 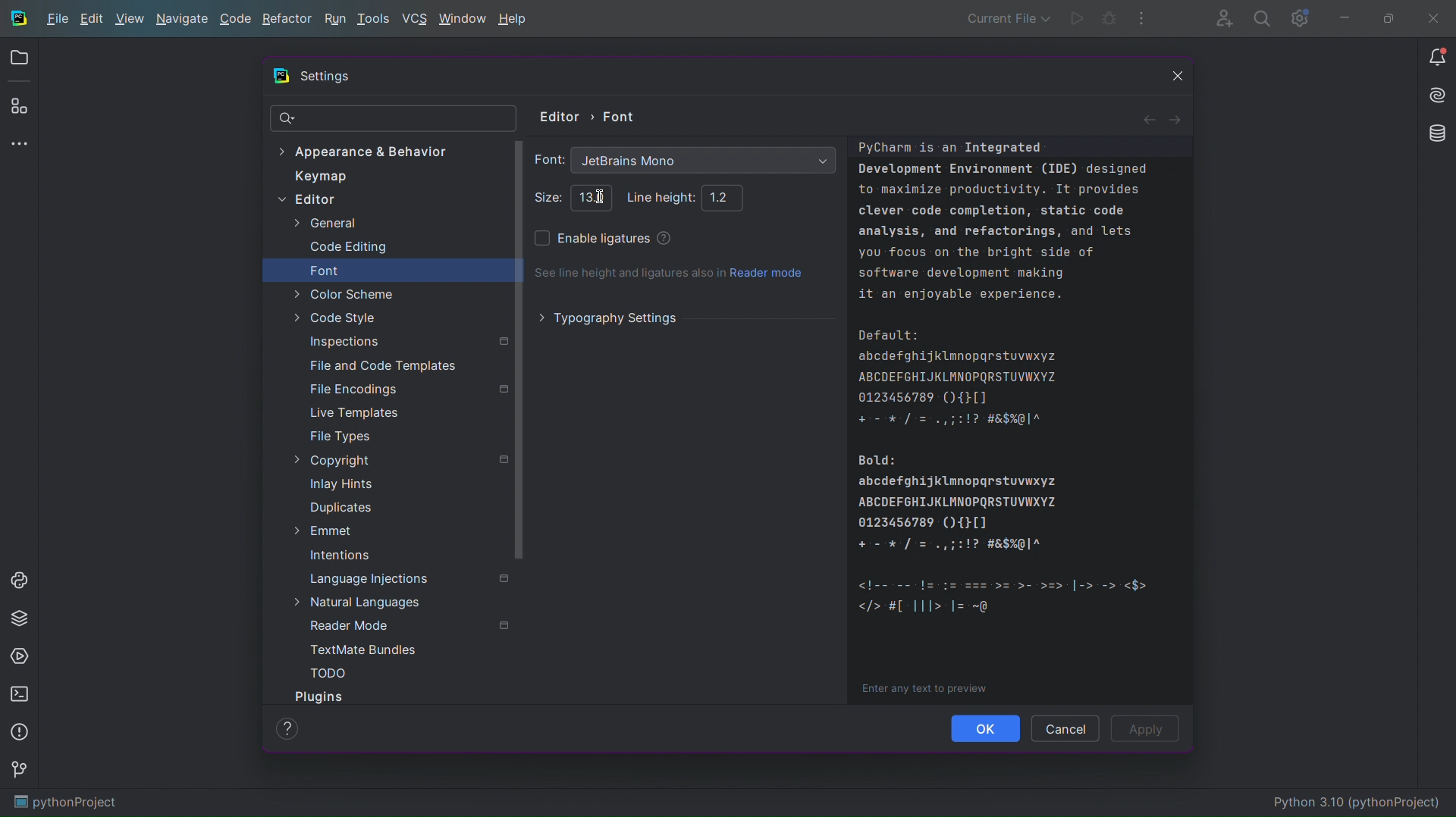 What do you see at coordinates (1025, 423) in the screenshot?
I see `Code` at bounding box center [1025, 423].